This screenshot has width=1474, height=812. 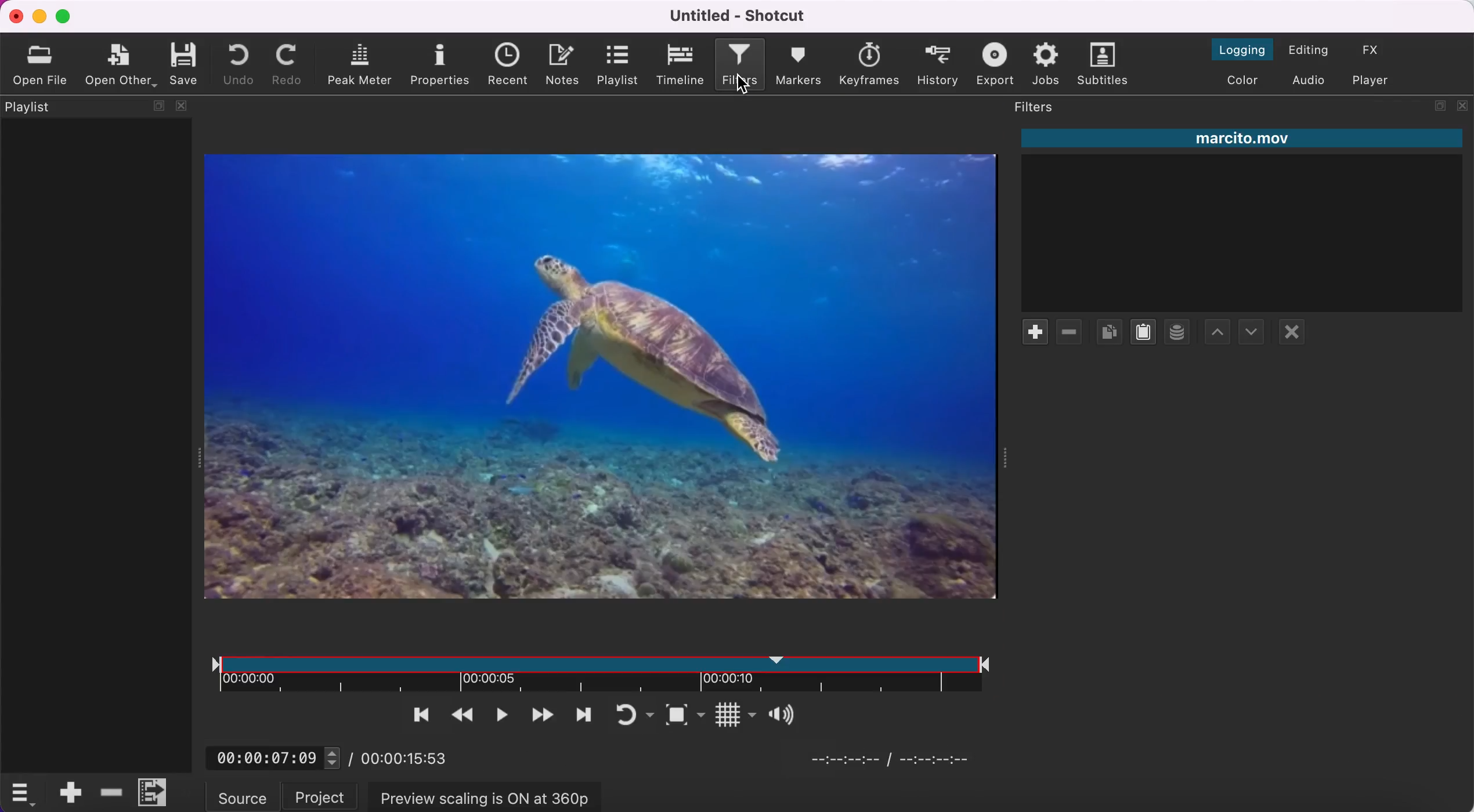 I want to click on subtitles, so click(x=1104, y=66).